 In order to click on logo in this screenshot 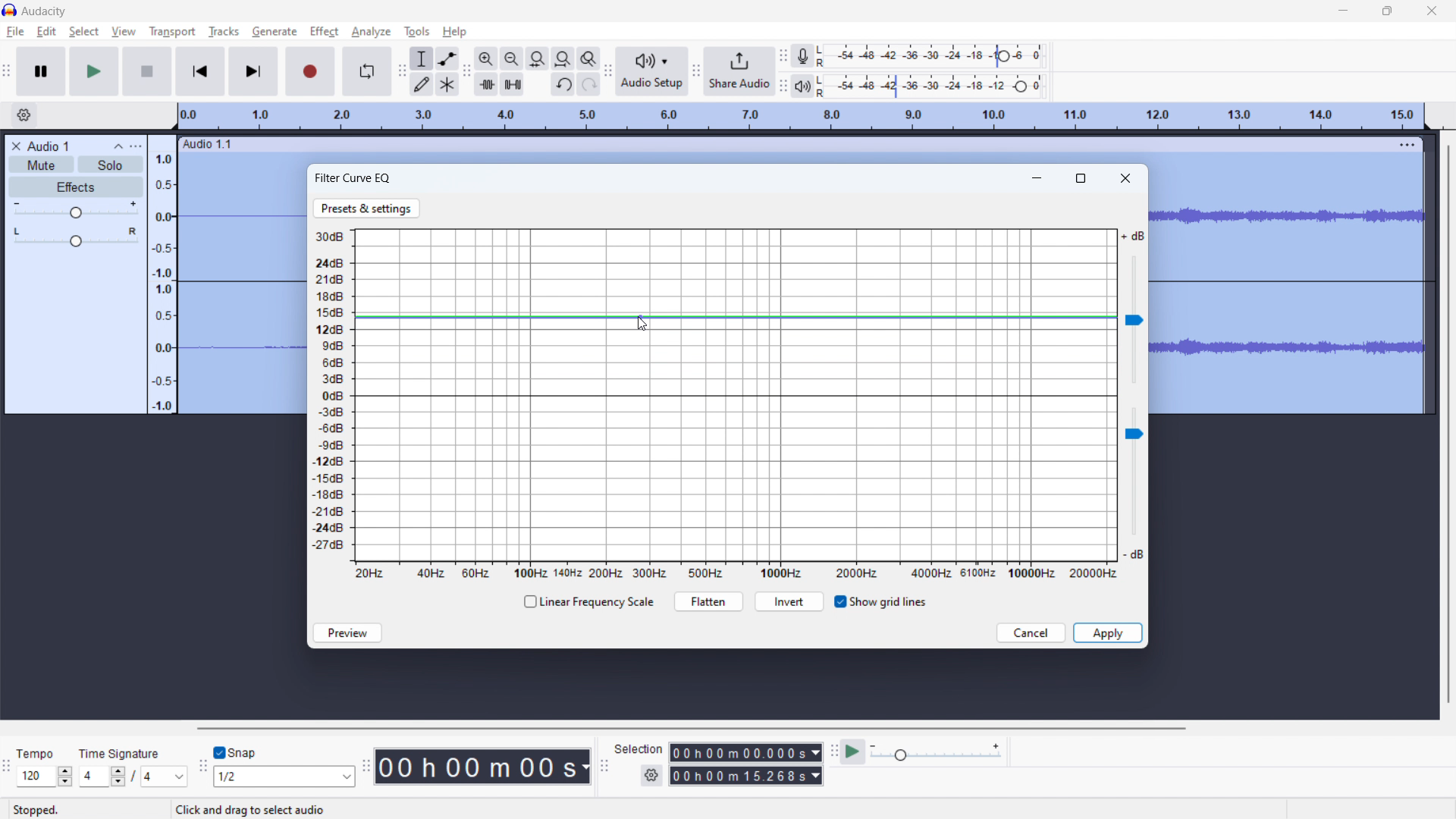, I will do `click(10, 9)`.